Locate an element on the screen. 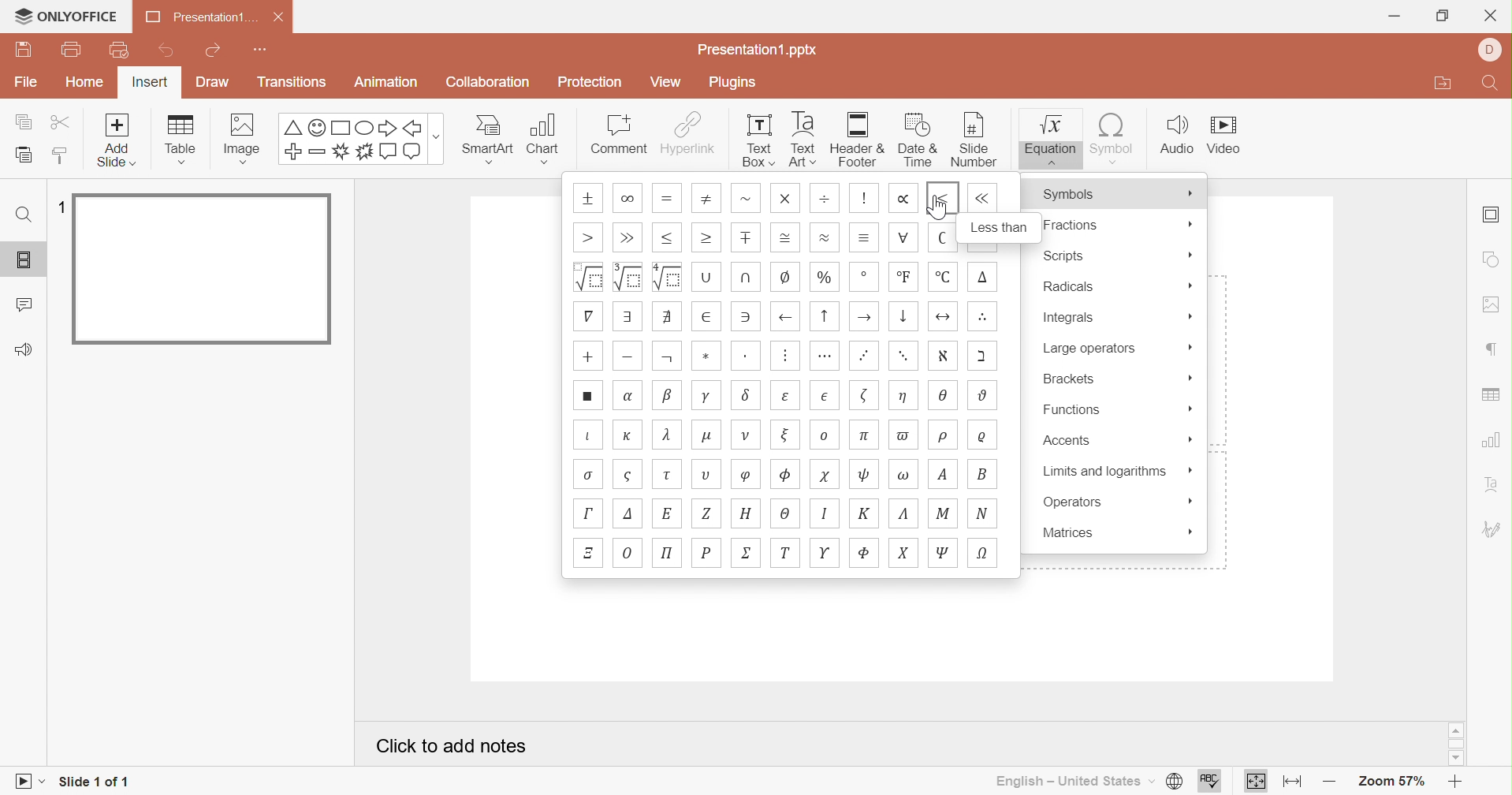 This screenshot has width=1512, height=795. Zoom 57% is located at coordinates (1389, 780).